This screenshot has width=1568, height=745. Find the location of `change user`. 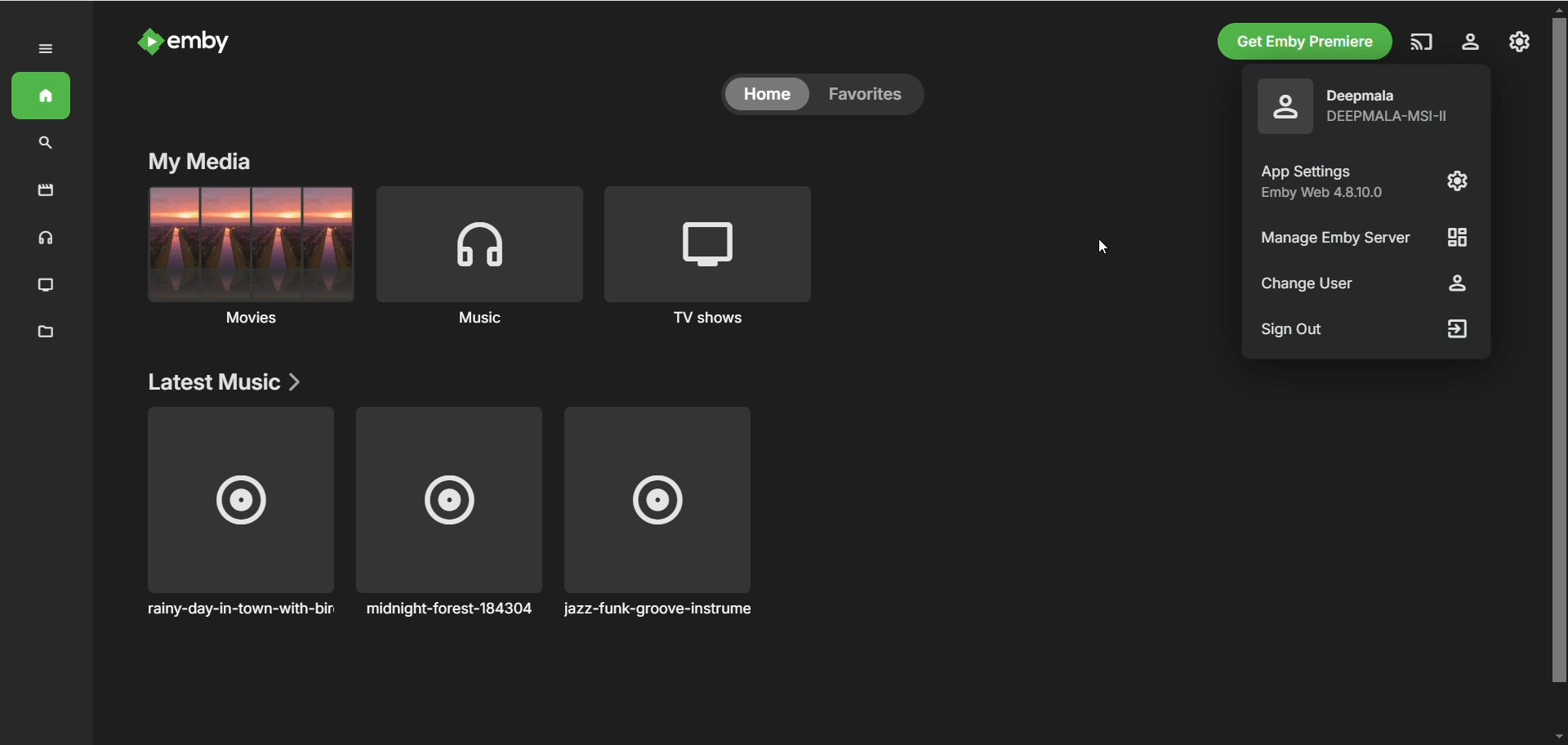

change user is located at coordinates (1368, 286).